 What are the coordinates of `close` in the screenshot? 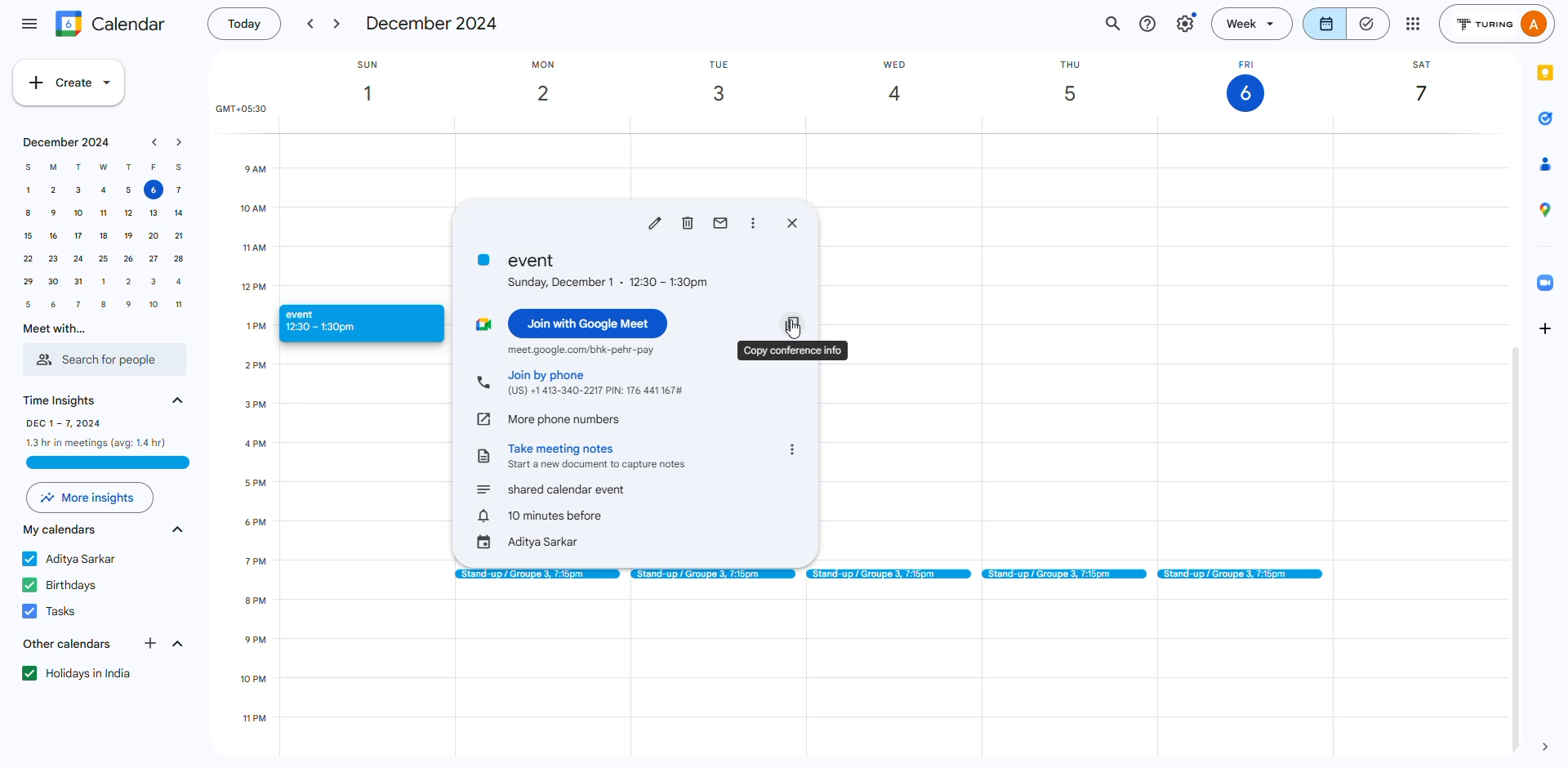 It's located at (792, 222).